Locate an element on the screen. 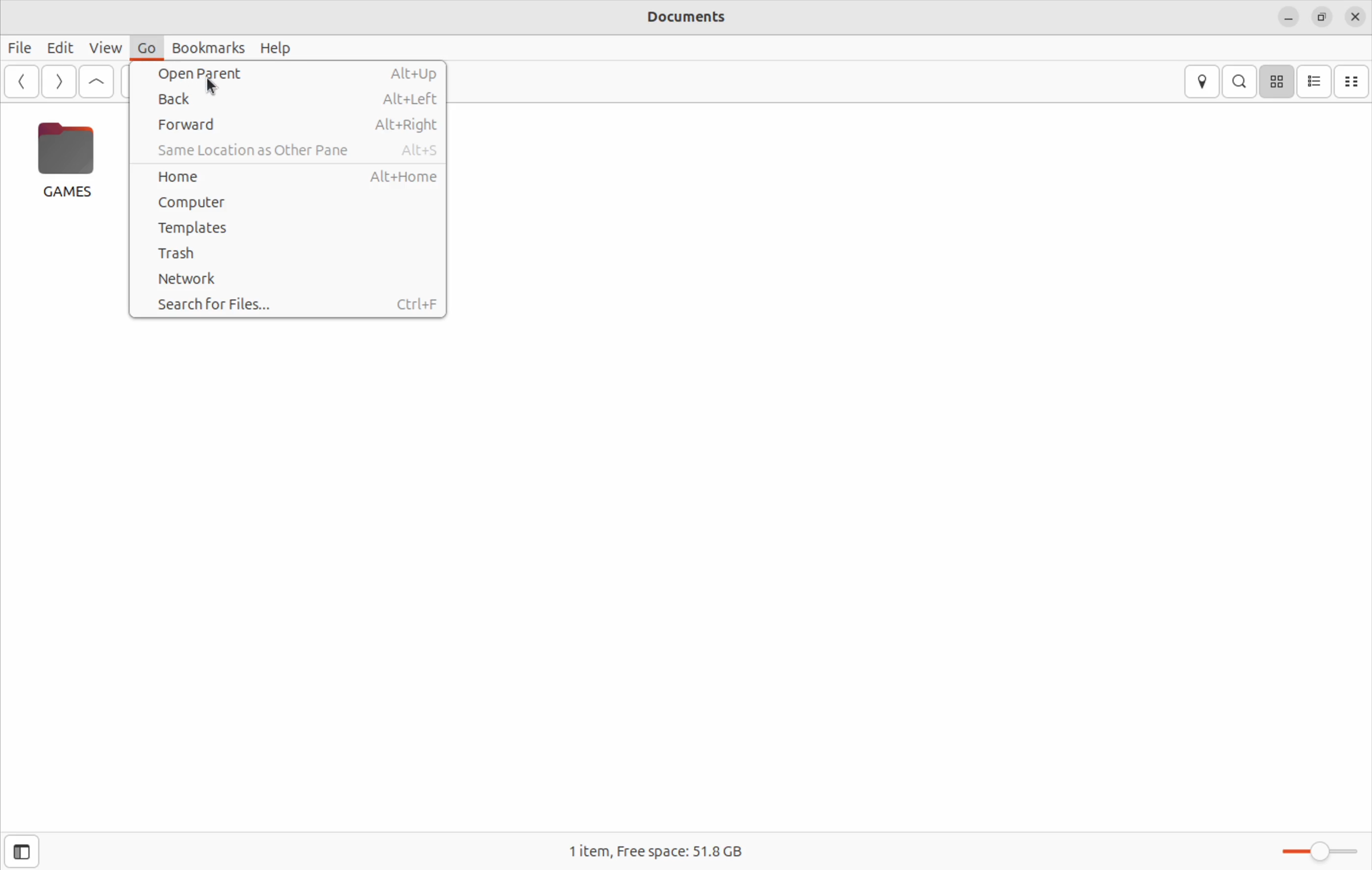 This screenshot has width=1372, height=870. show side bar is located at coordinates (21, 852).